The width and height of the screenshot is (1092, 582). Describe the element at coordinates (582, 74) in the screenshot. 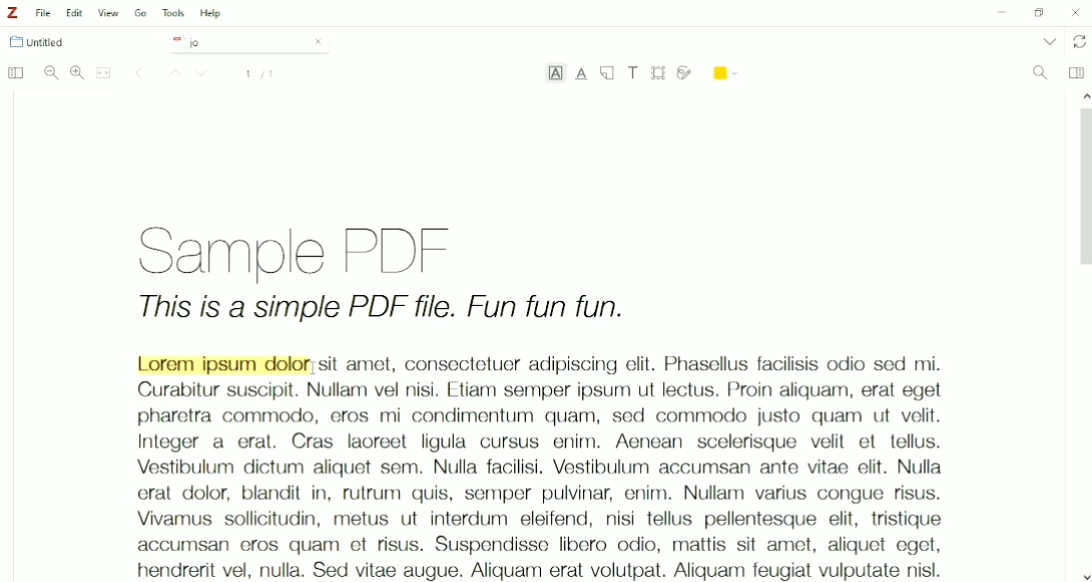

I see `Underline Text` at that location.